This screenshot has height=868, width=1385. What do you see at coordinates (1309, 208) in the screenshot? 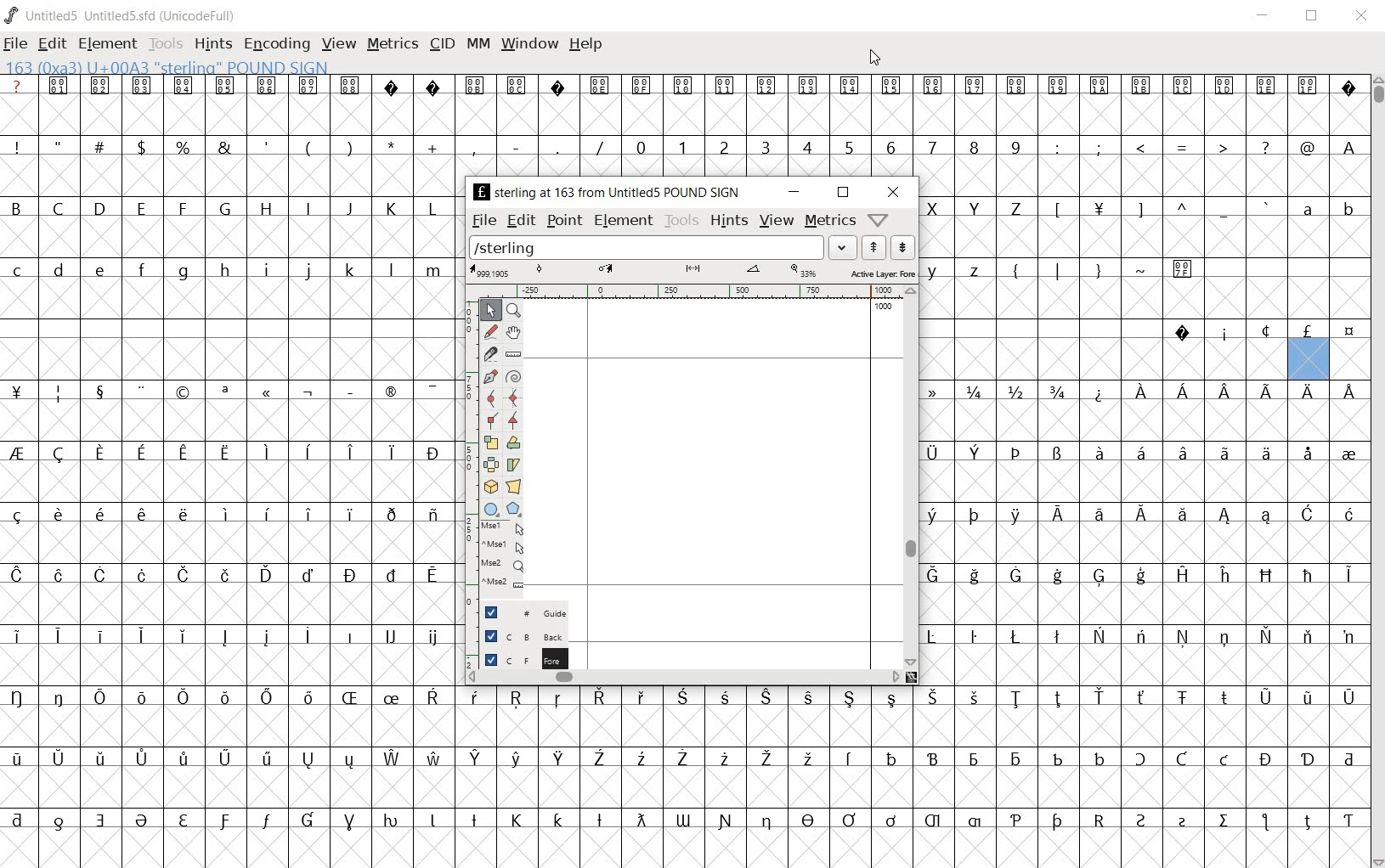
I see `a` at bounding box center [1309, 208].